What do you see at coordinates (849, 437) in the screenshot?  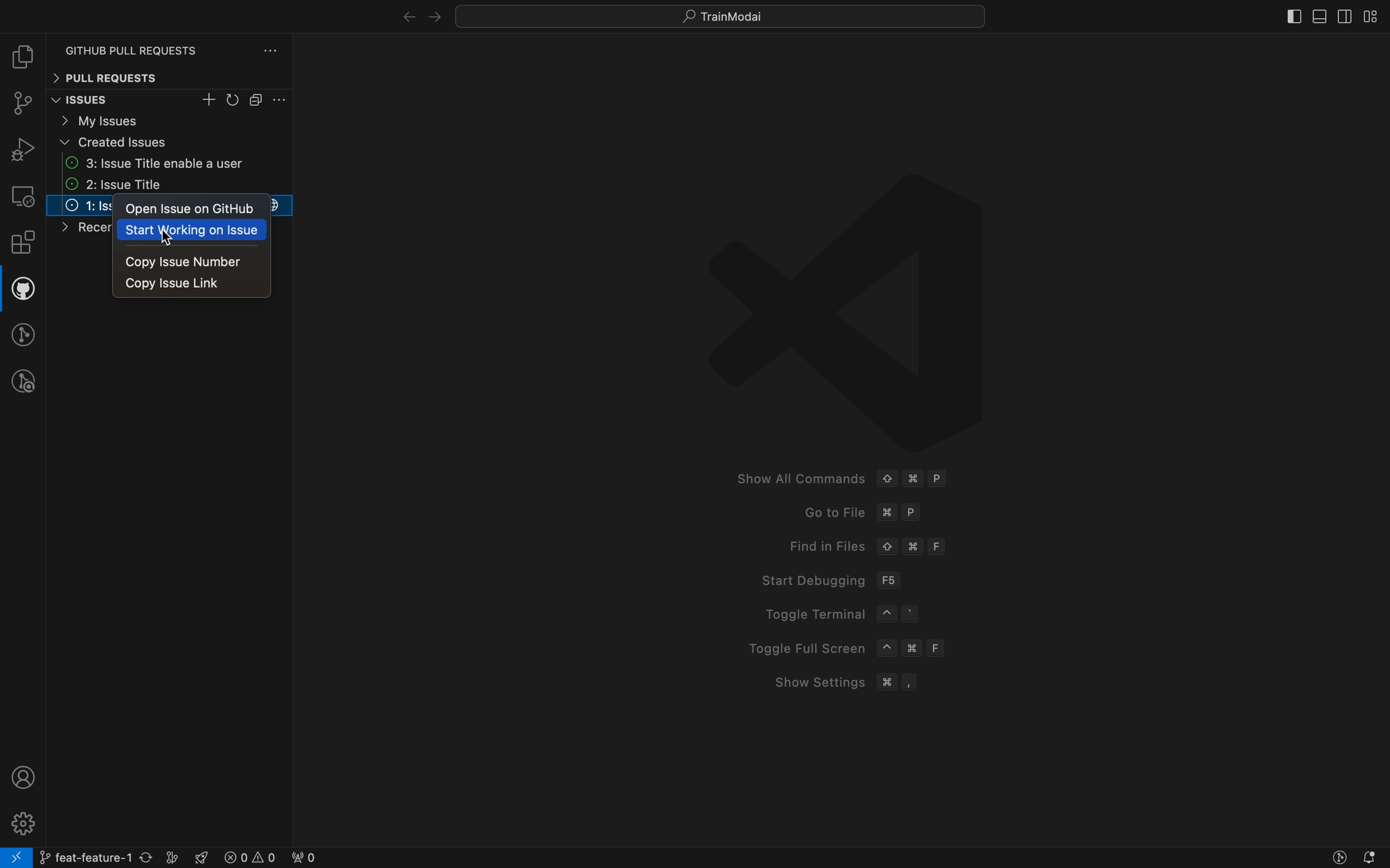 I see `welcome screen` at bounding box center [849, 437].